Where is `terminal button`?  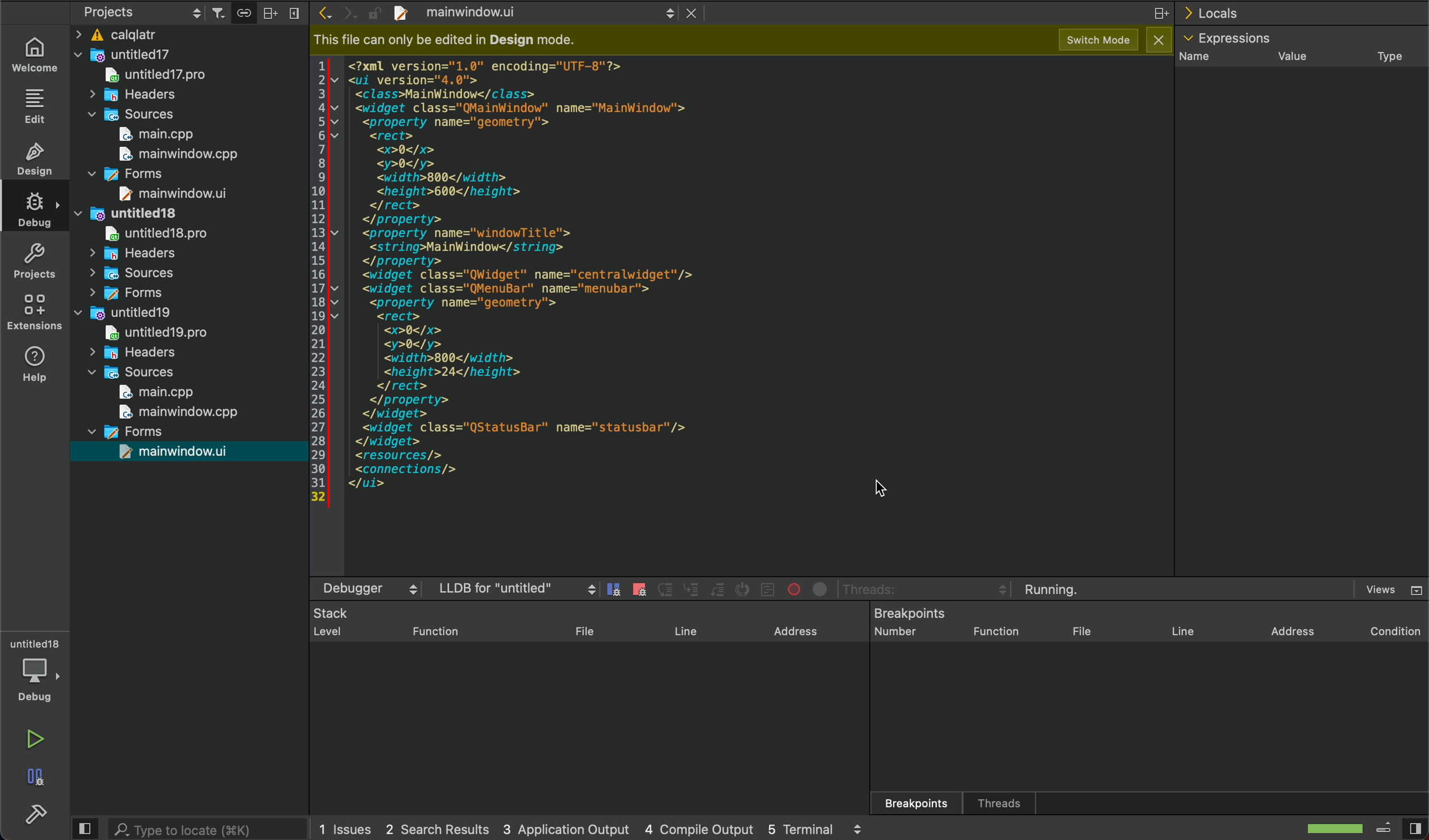
terminal button is located at coordinates (792, 588).